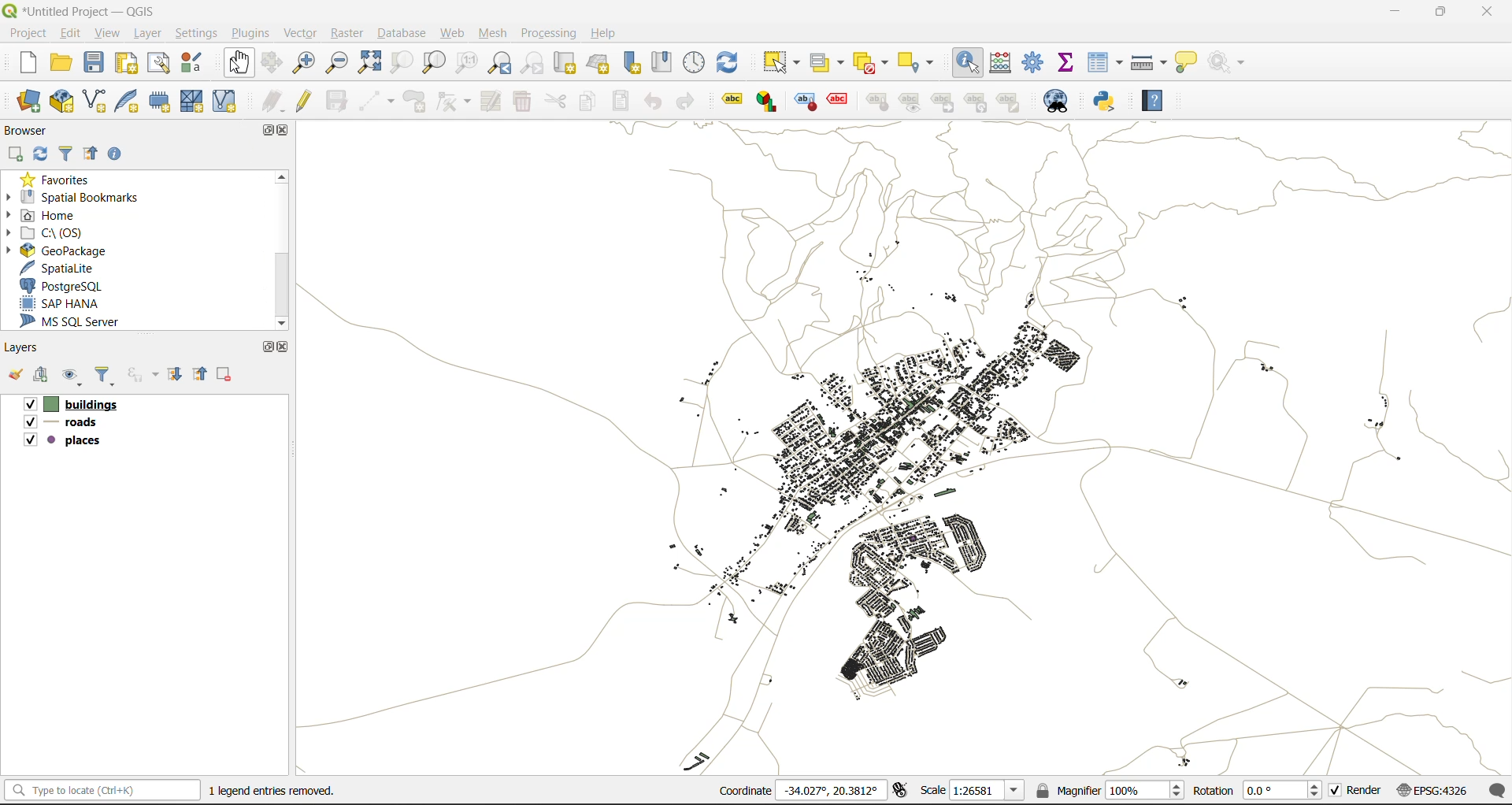 This screenshot has height=805, width=1512. What do you see at coordinates (161, 64) in the screenshot?
I see `show layout` at bounding box center [161, 64].